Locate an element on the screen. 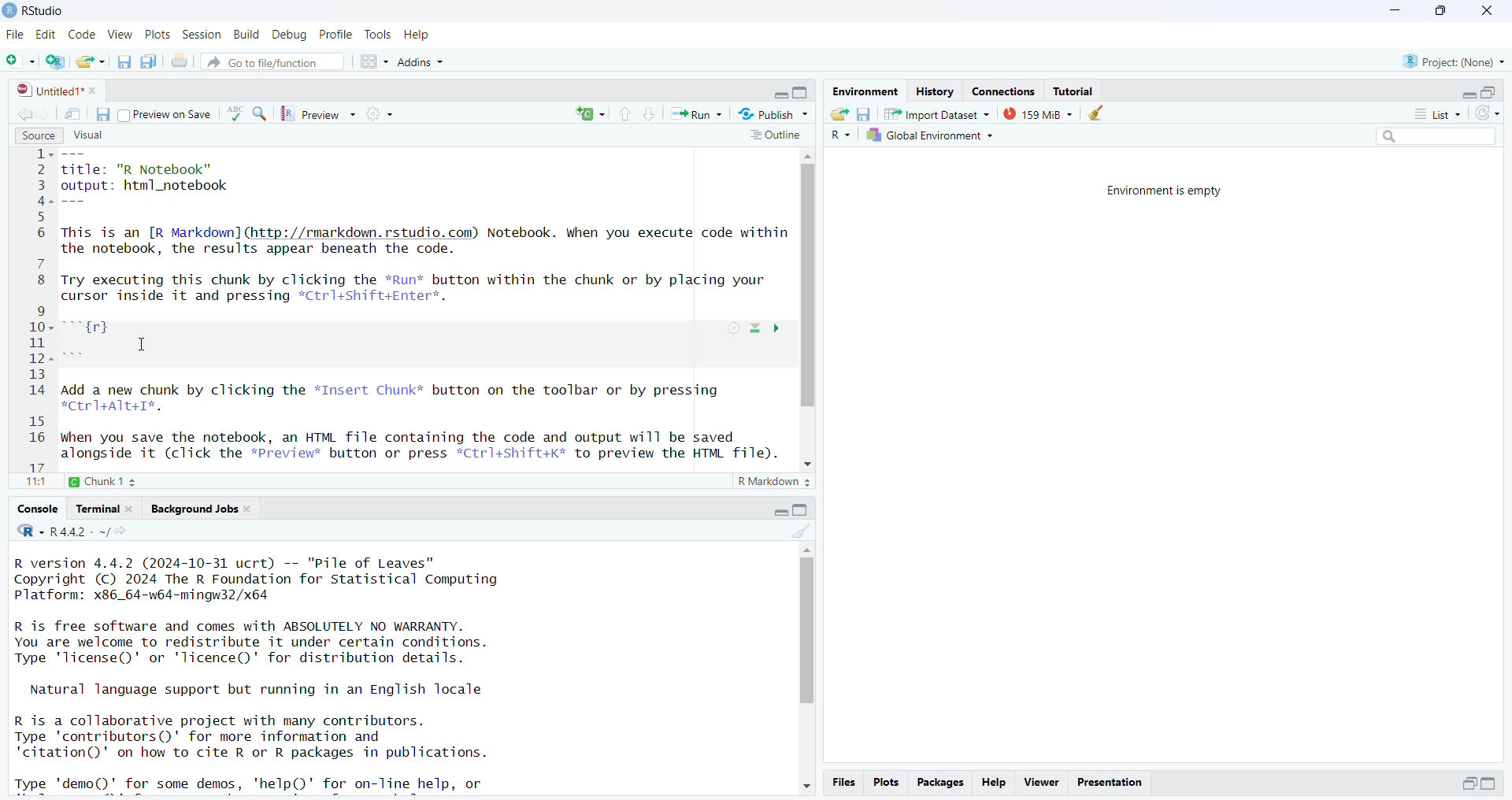  159 MB is located at coordinates (1037, 113).